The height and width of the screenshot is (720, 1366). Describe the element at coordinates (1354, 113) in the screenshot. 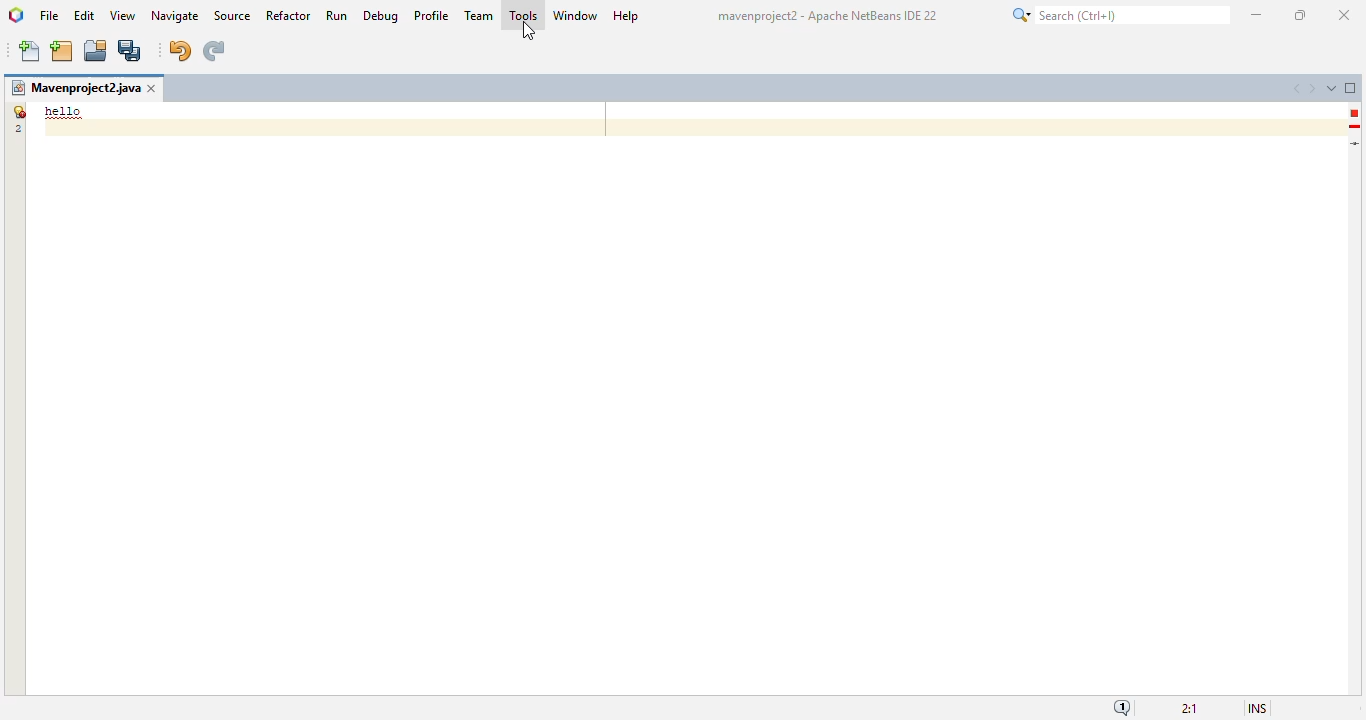

I see `error` at that location.